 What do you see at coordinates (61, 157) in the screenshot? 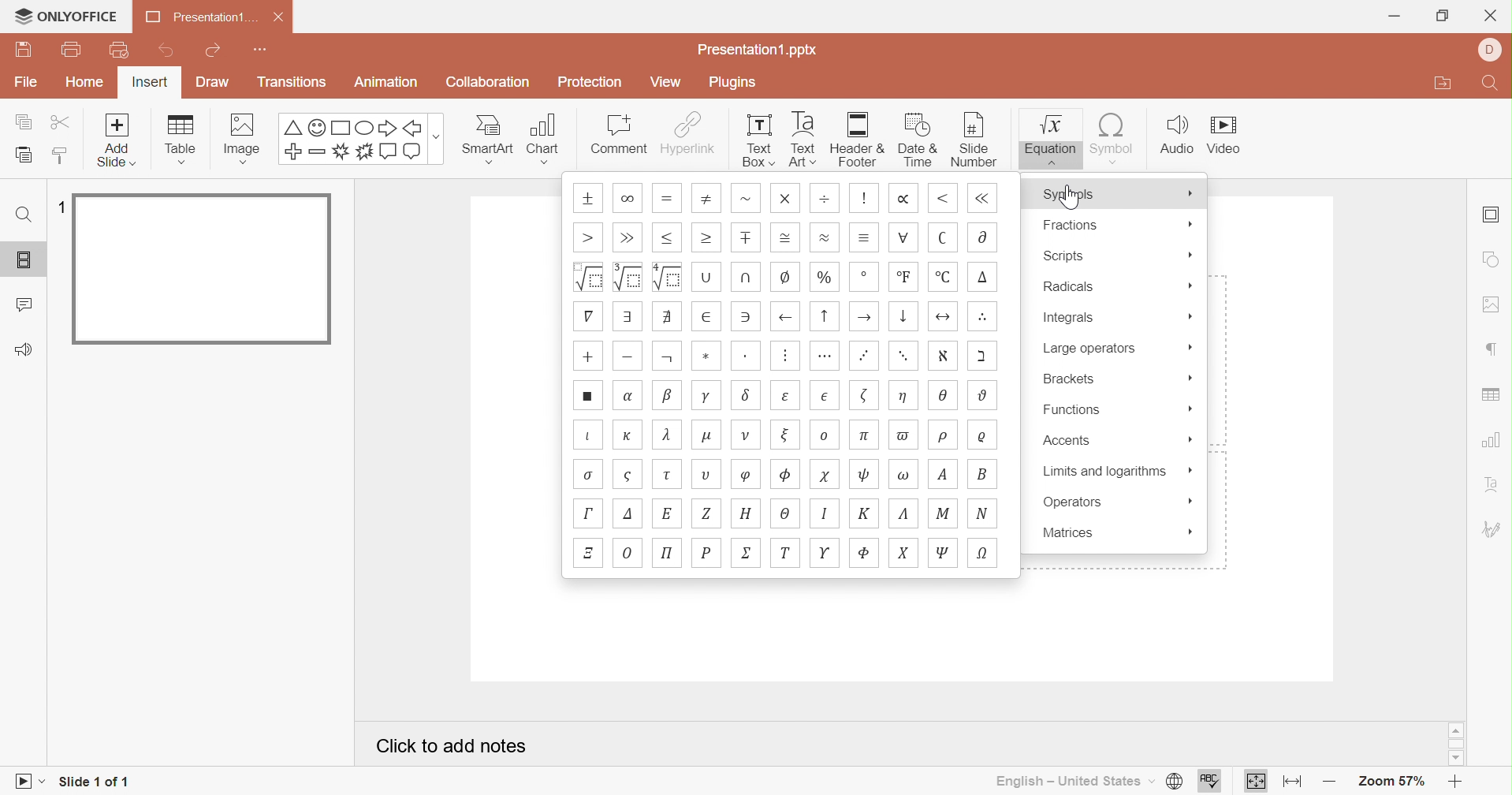
I see `Copy style` at bounding box center [61, 157].